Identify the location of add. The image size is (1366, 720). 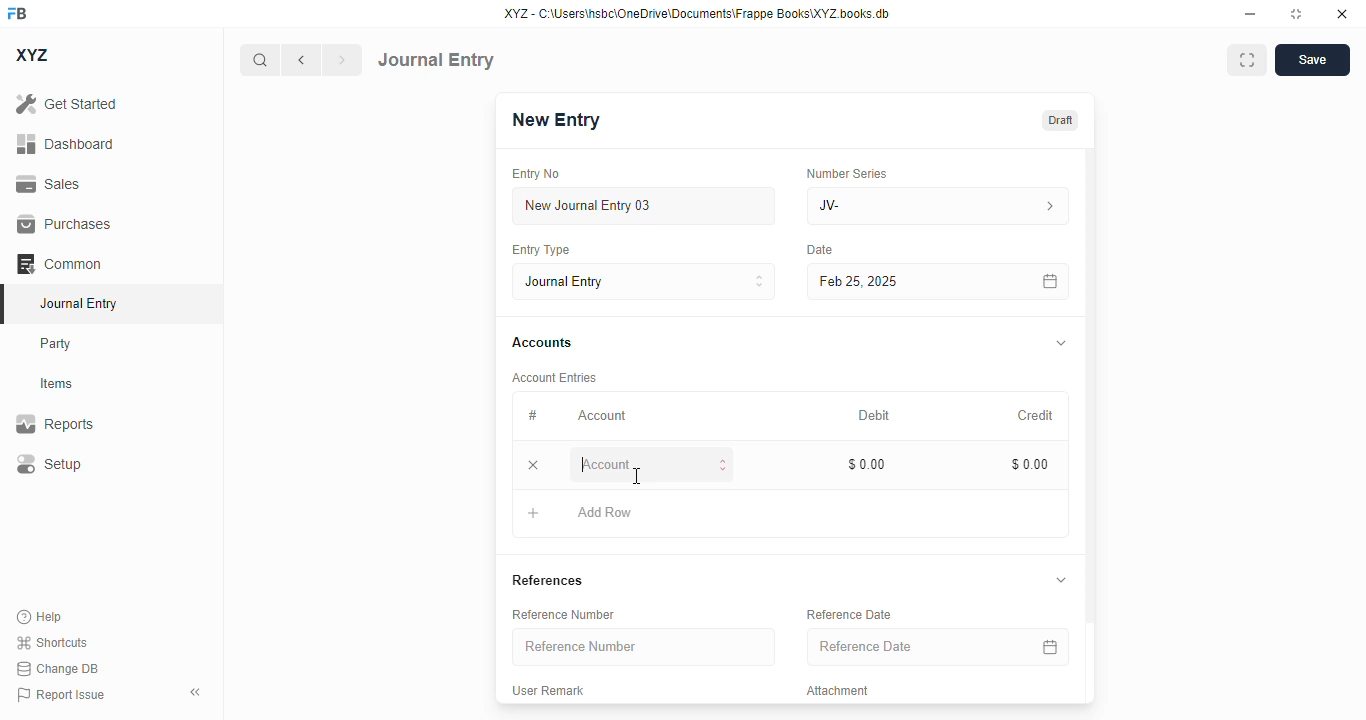
(534, 512).